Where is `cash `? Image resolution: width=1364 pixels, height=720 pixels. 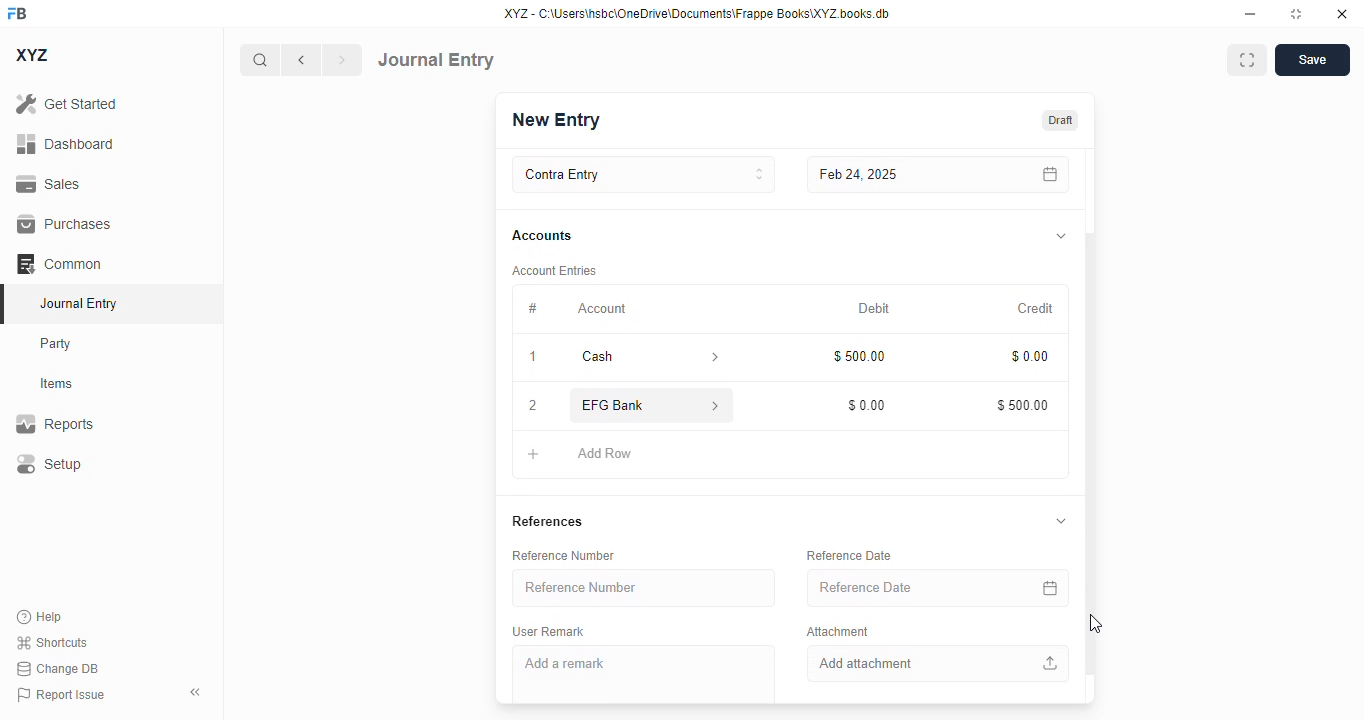 cash  is located at coordinates (621, 357).